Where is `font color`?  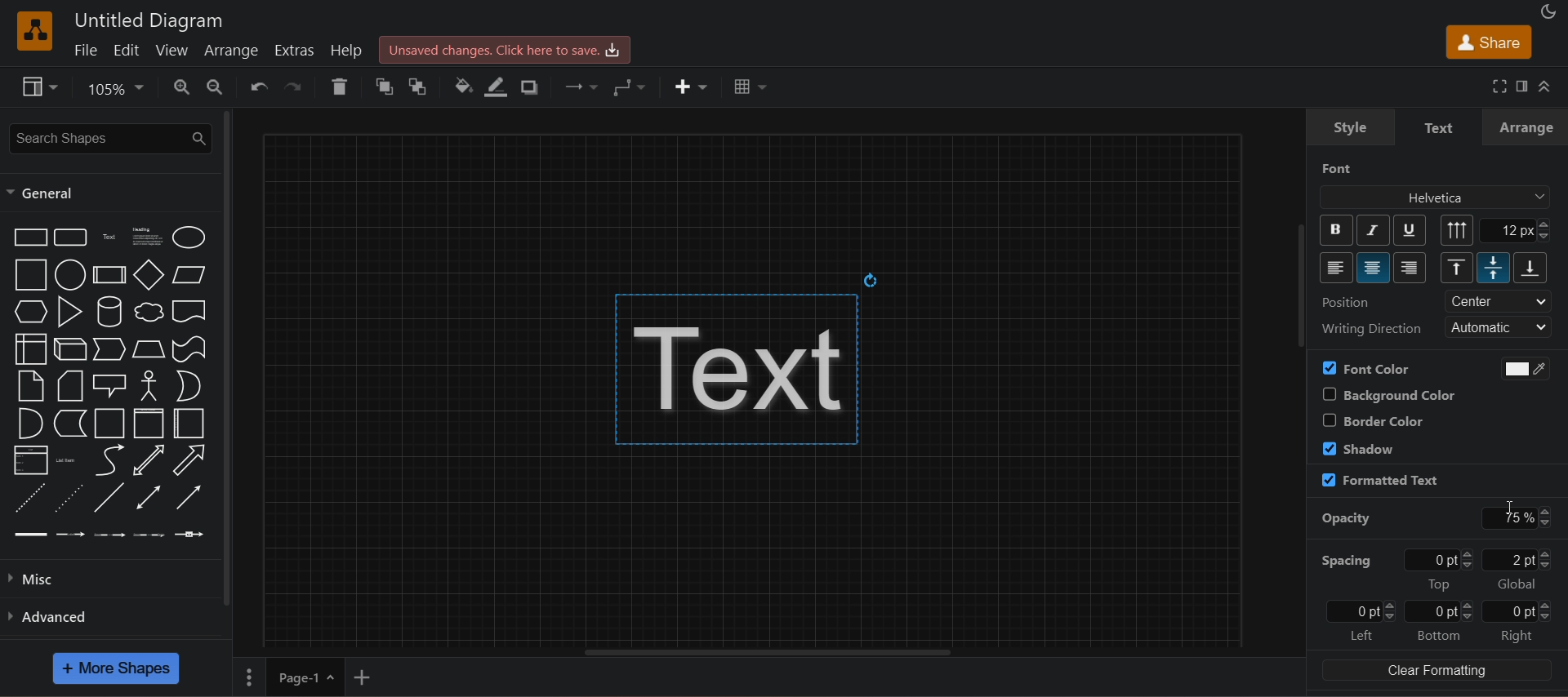
font color is located at coordinates (1366, 368).